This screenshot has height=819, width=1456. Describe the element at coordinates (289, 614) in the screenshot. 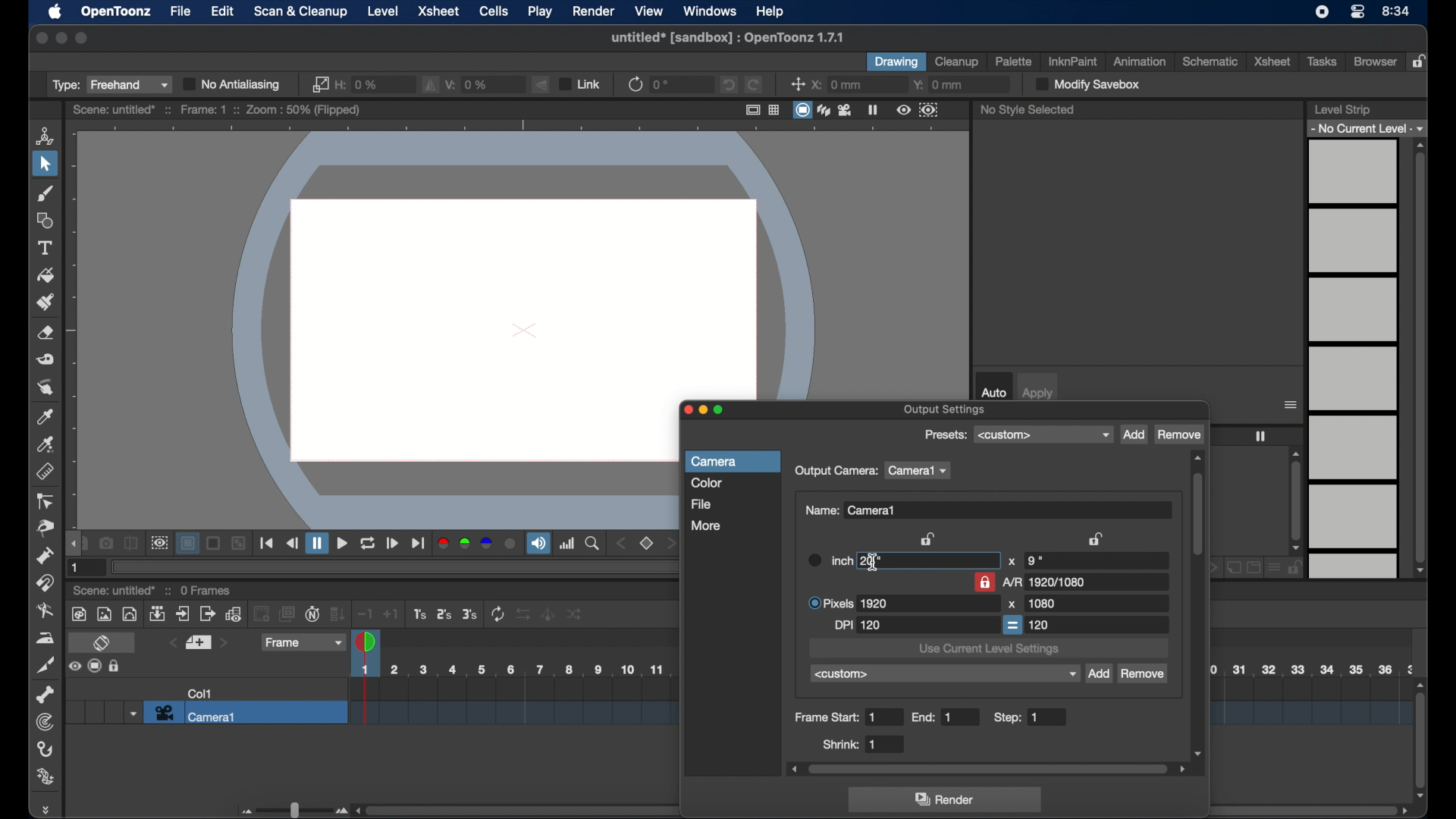

I see `` at that location.